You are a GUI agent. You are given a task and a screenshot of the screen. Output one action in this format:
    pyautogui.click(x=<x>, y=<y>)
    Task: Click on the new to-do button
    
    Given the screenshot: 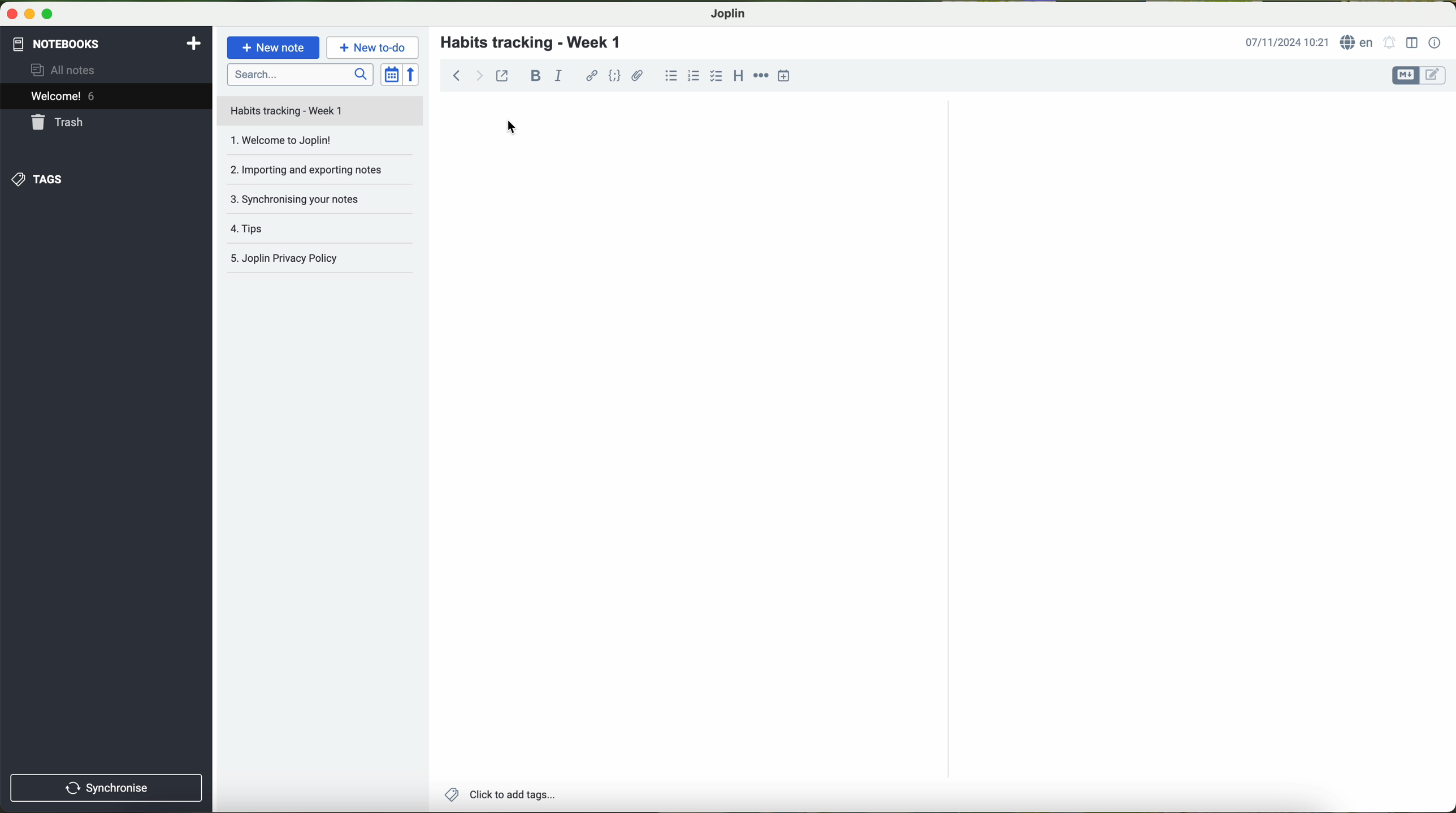 What is the action you would take?
    pyautogui.click(x=372, y=47)
    